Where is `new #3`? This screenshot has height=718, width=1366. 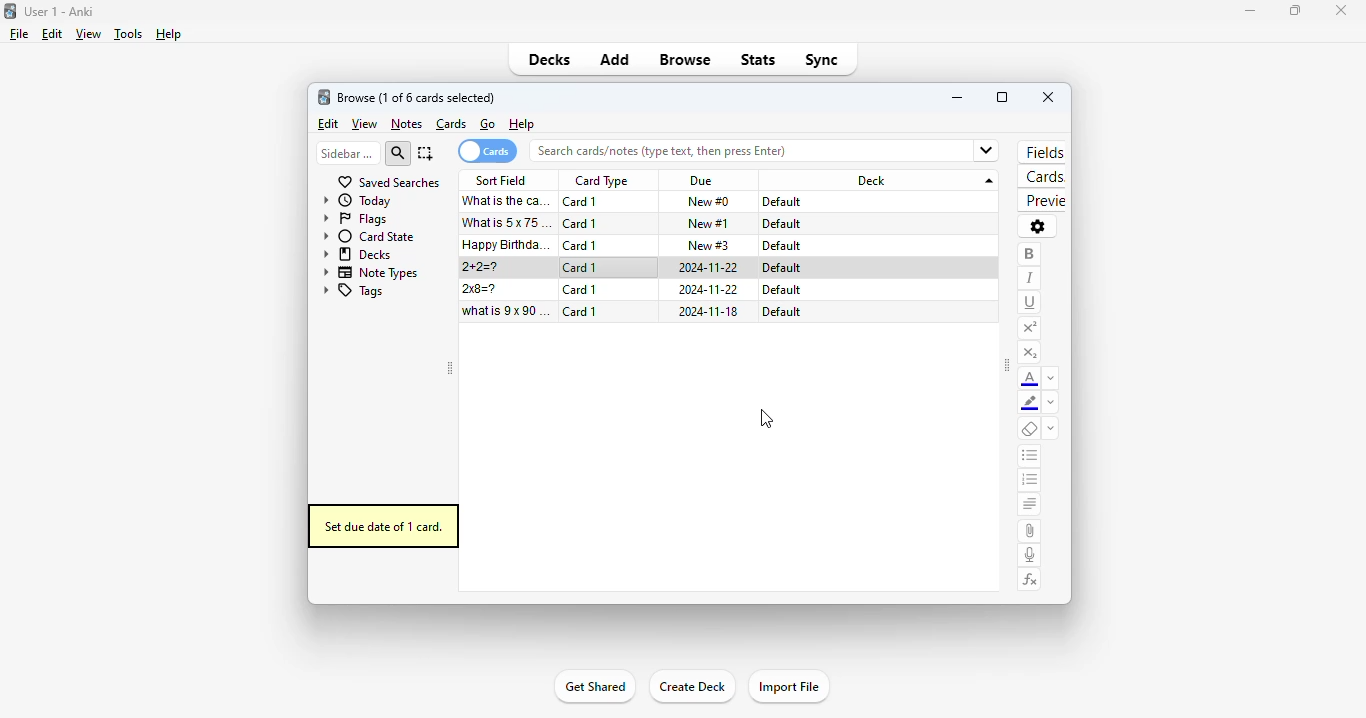
new #3 is located at coordinates (709, 245).